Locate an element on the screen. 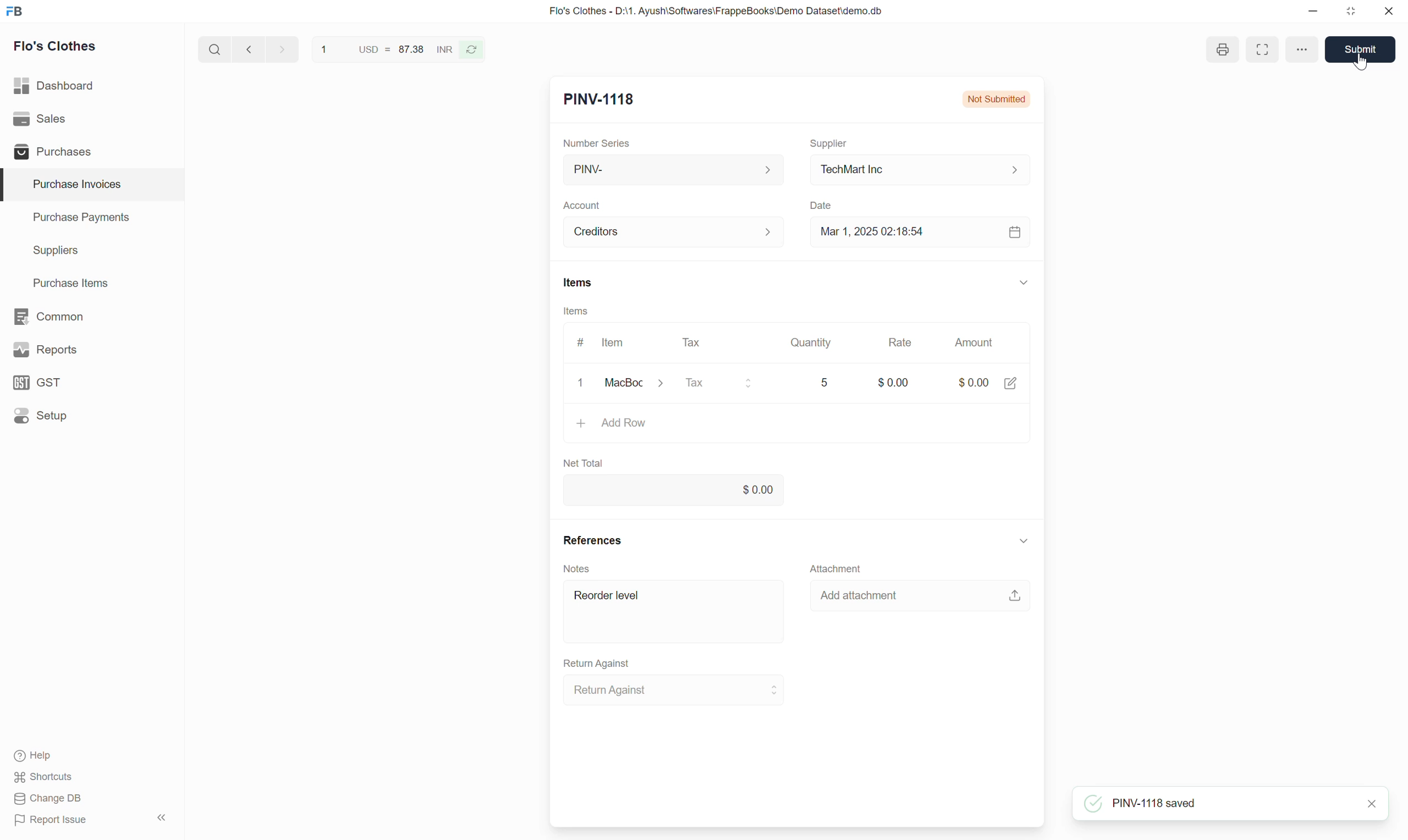 The height and width of the screenshot is (840, 1408). Tax is located at coordinates (695, 342).